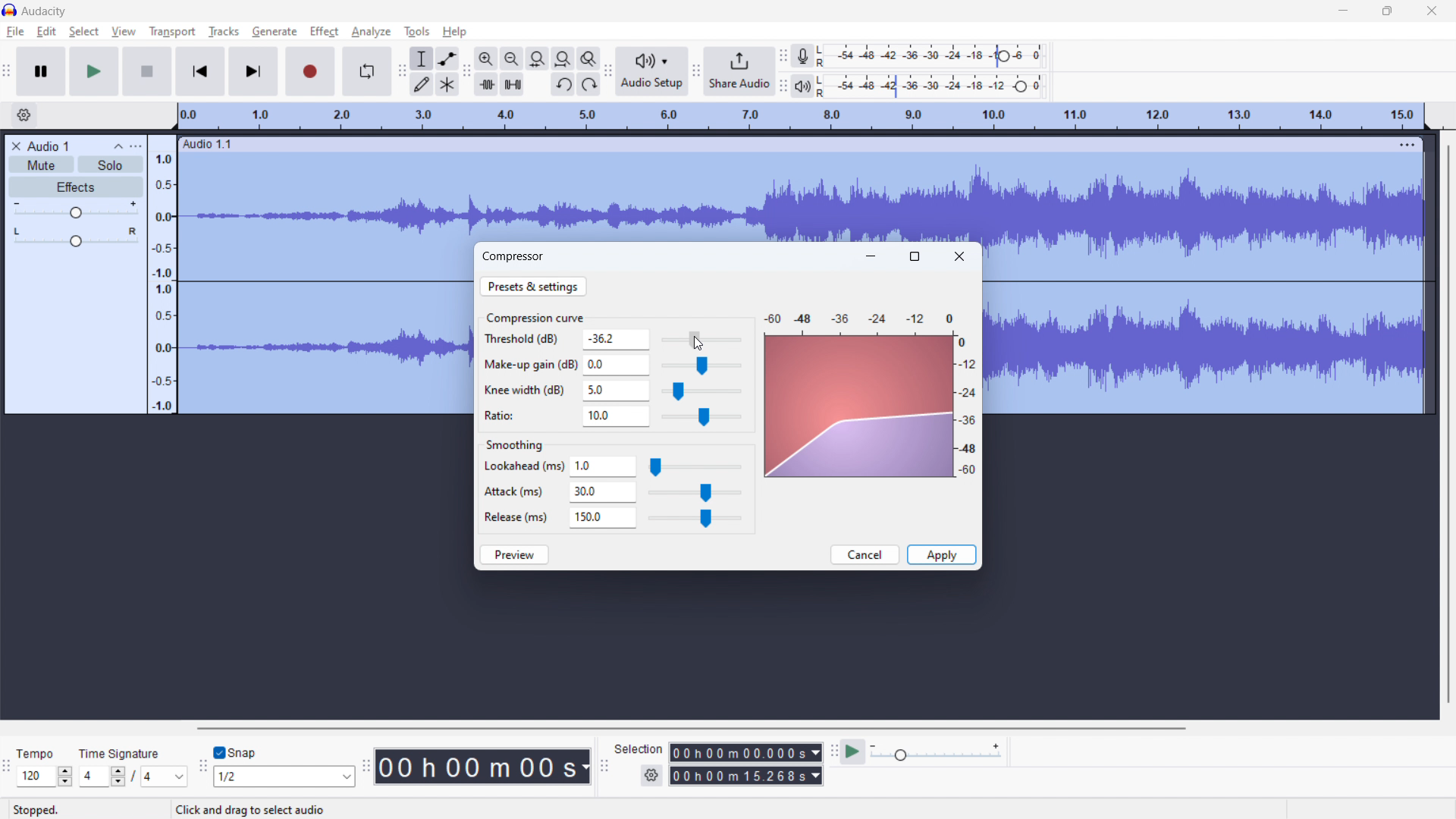 The width and height of the screenshot is (1456, 819). Describe the element at coordinates (617, 339) in the screenshot. I see `-36.2` at that location.